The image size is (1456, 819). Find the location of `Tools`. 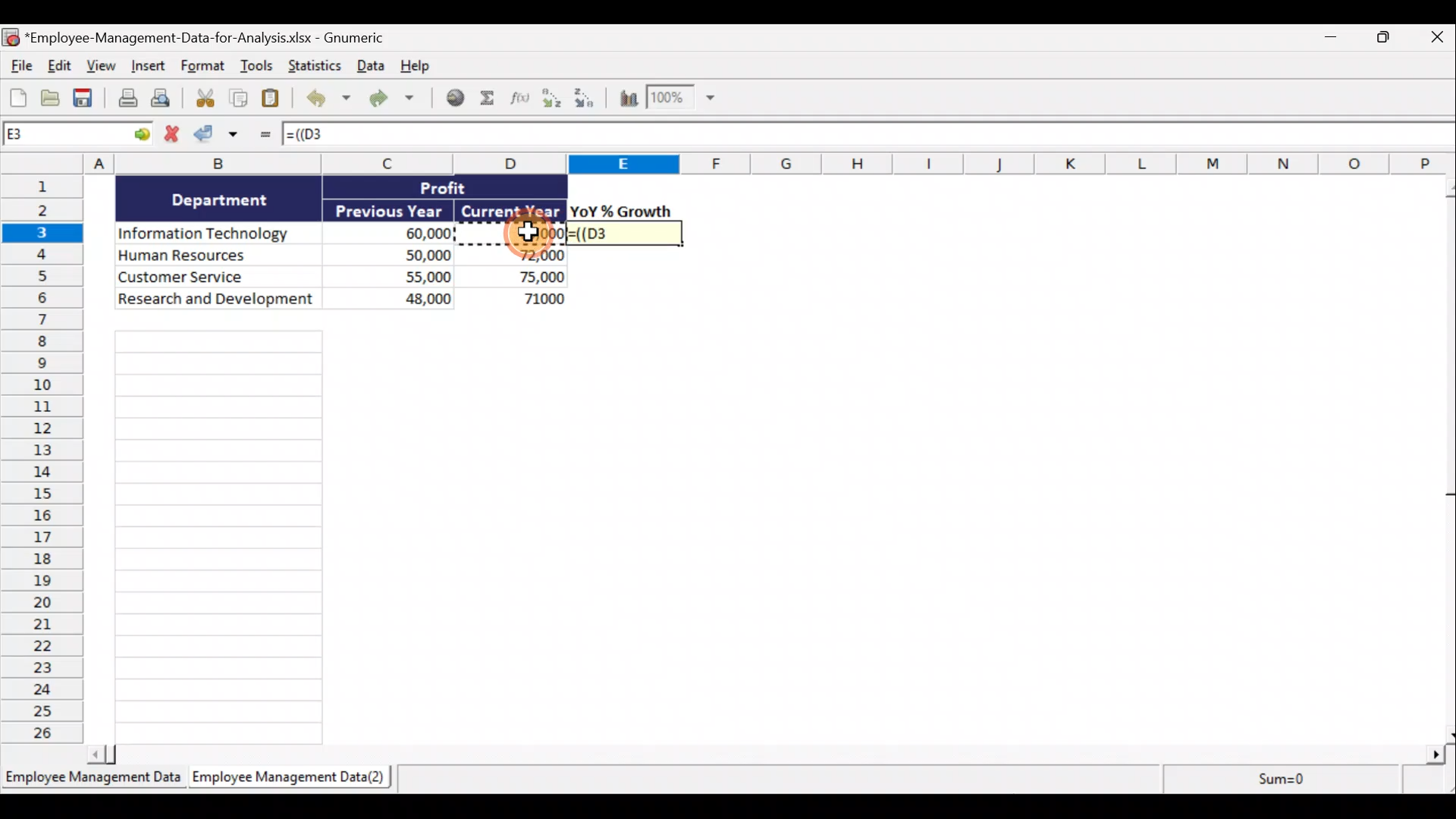

Tools is located at coordinates (259, 68).